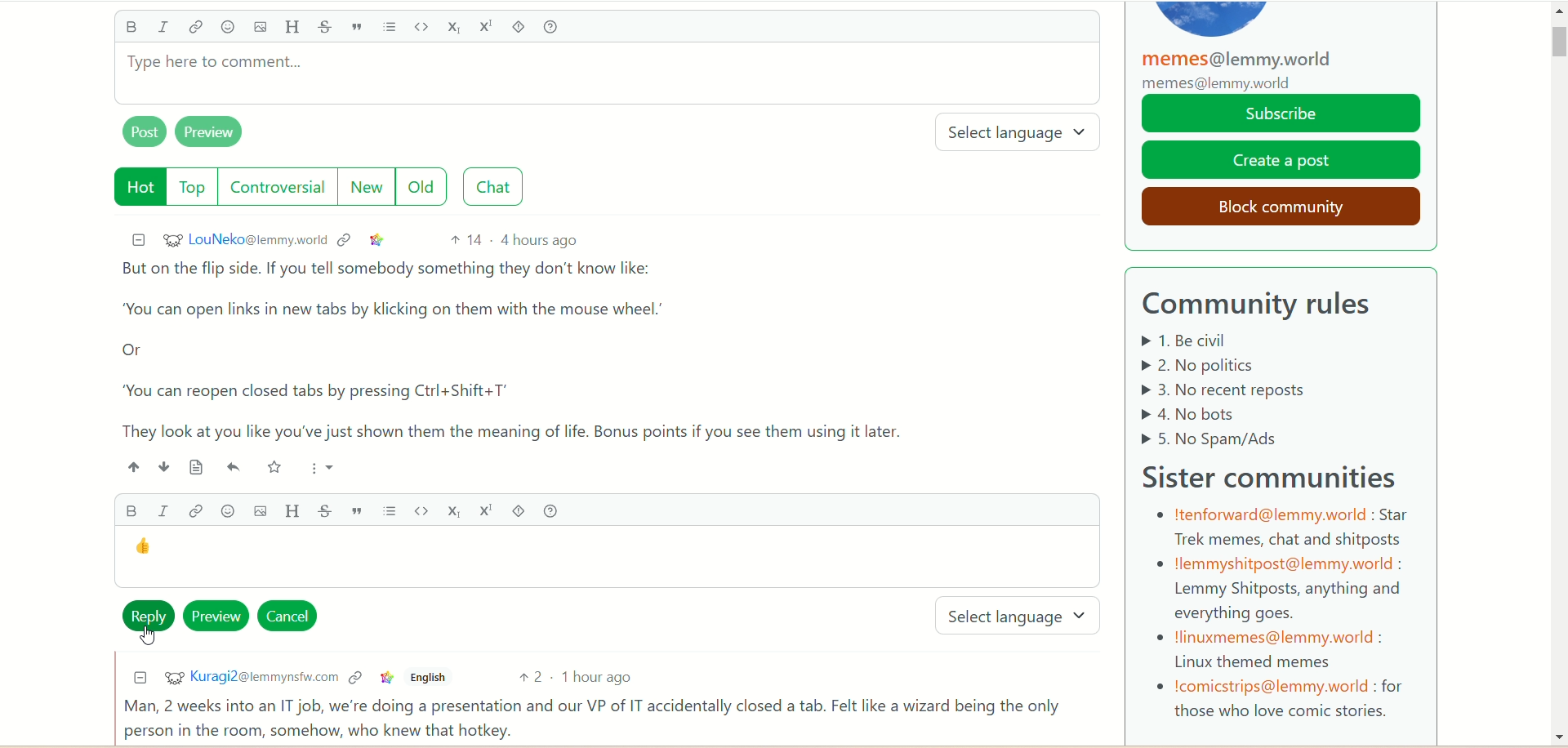 The width and height of the screenshot is (1568, 748). I want to click on subscript, so click(452, 508).